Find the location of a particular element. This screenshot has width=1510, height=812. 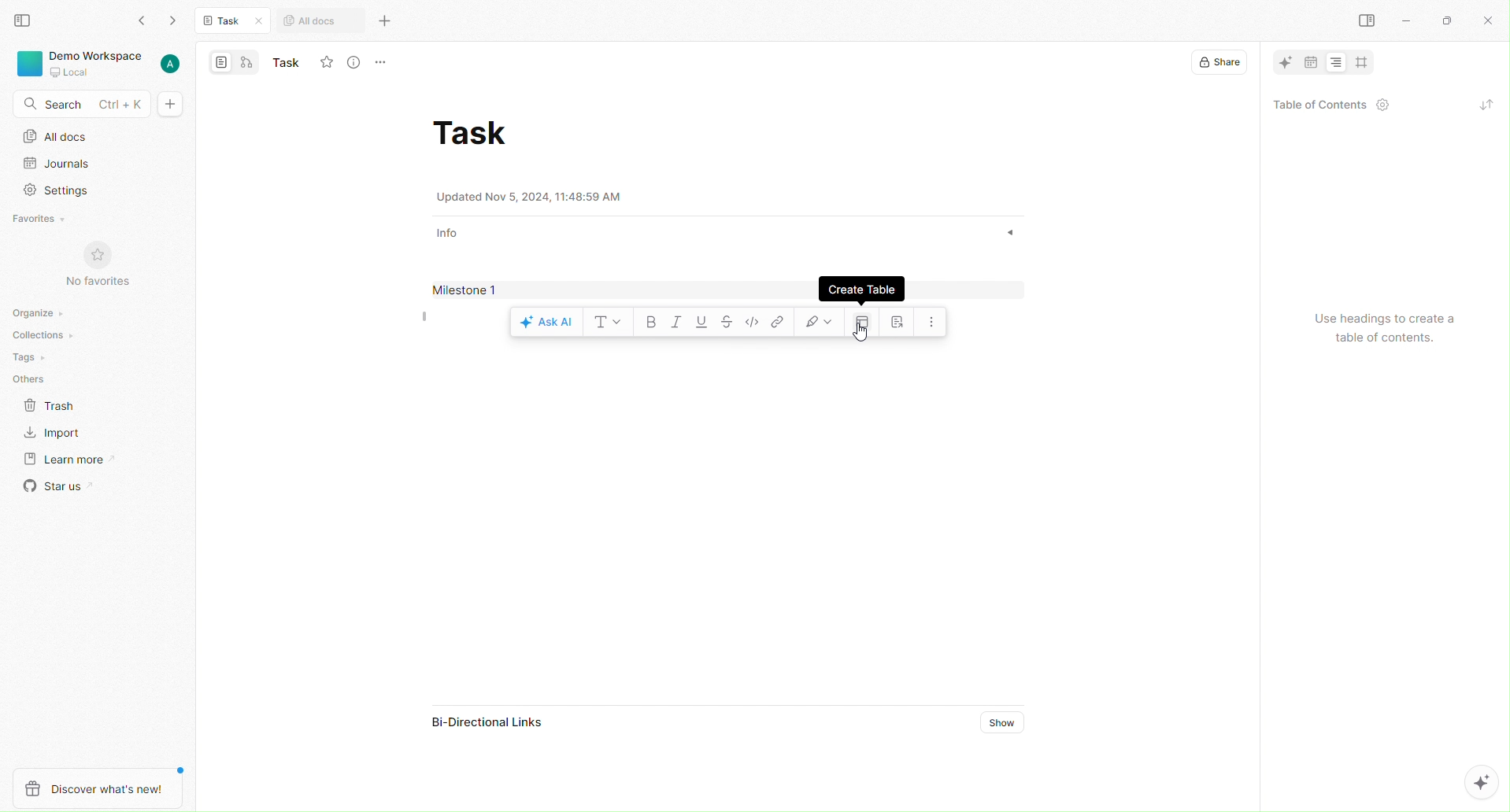

create table is located at coordinates (868, 290).